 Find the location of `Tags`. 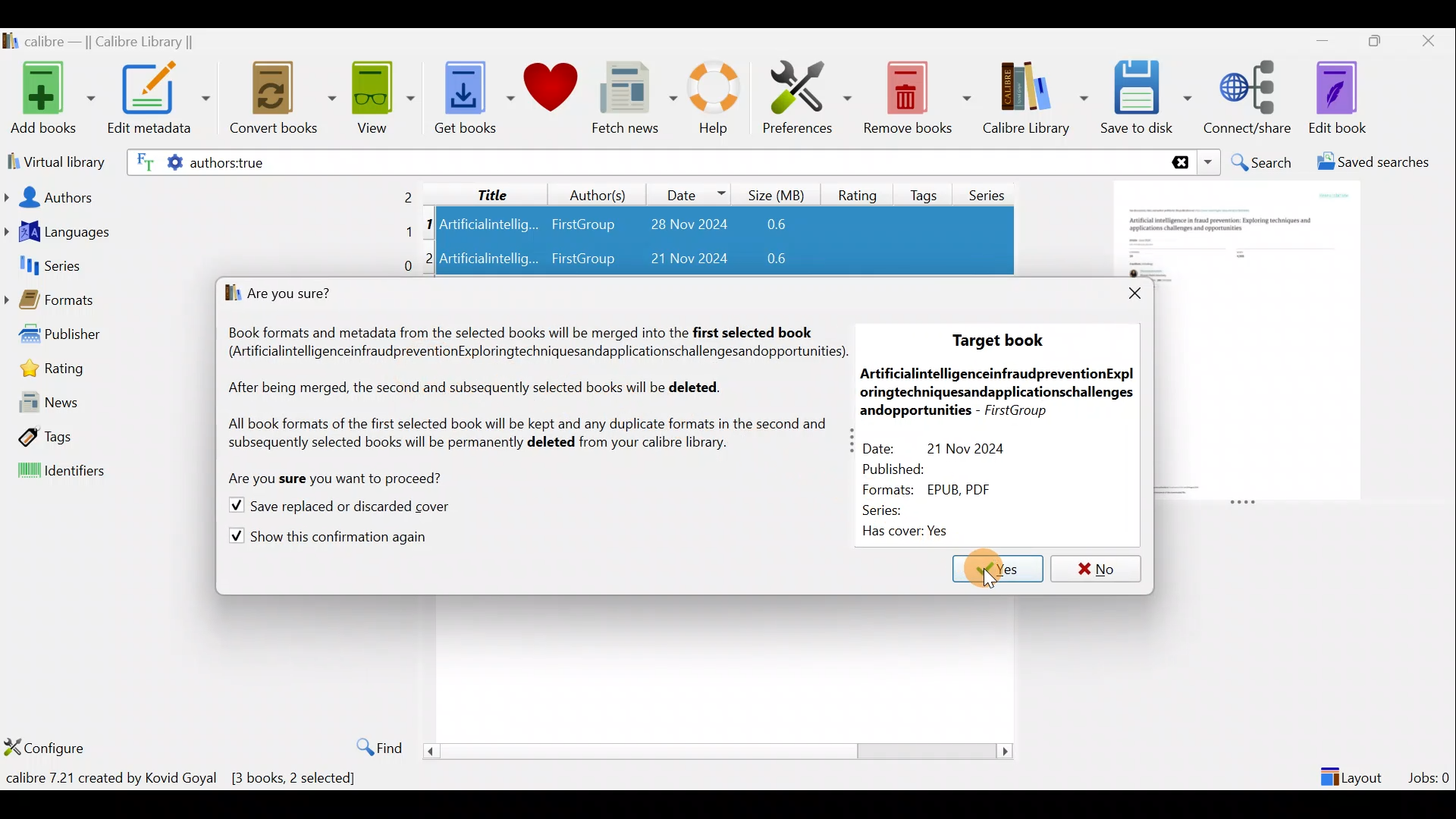

Tags is located at coordinates (927, 189).